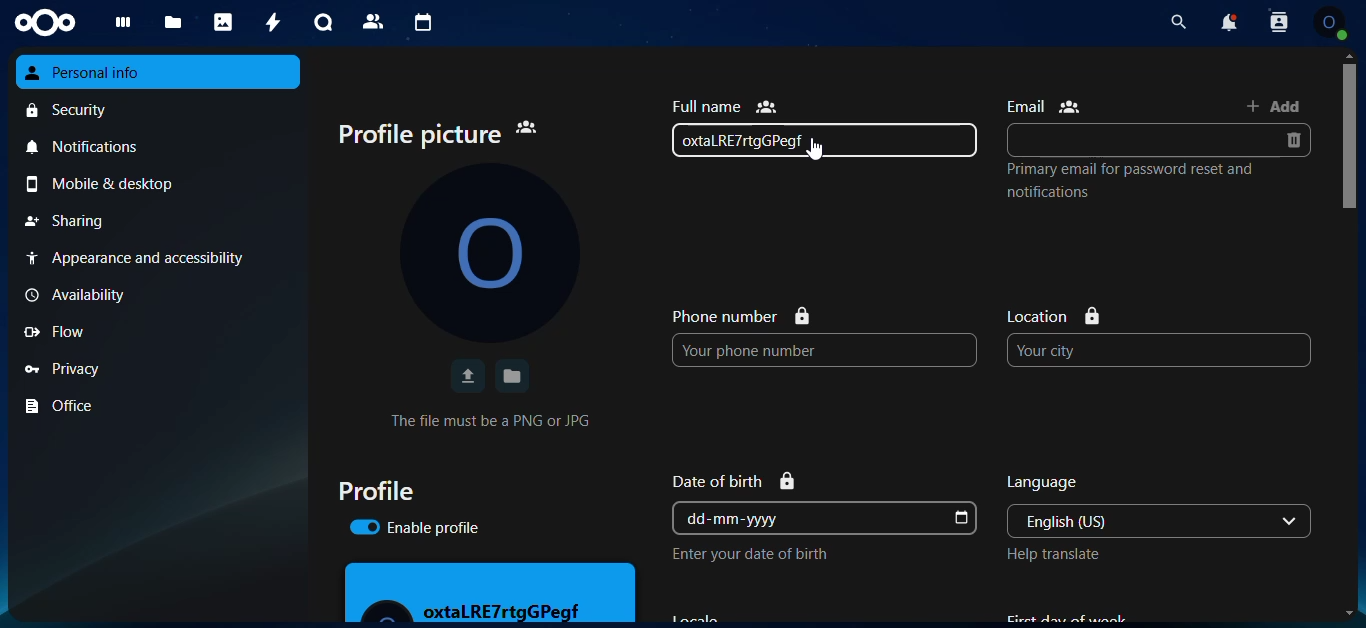  Describe the element at coordinates (1053, 554) in the screenshot. I see `Help translate` at that location.